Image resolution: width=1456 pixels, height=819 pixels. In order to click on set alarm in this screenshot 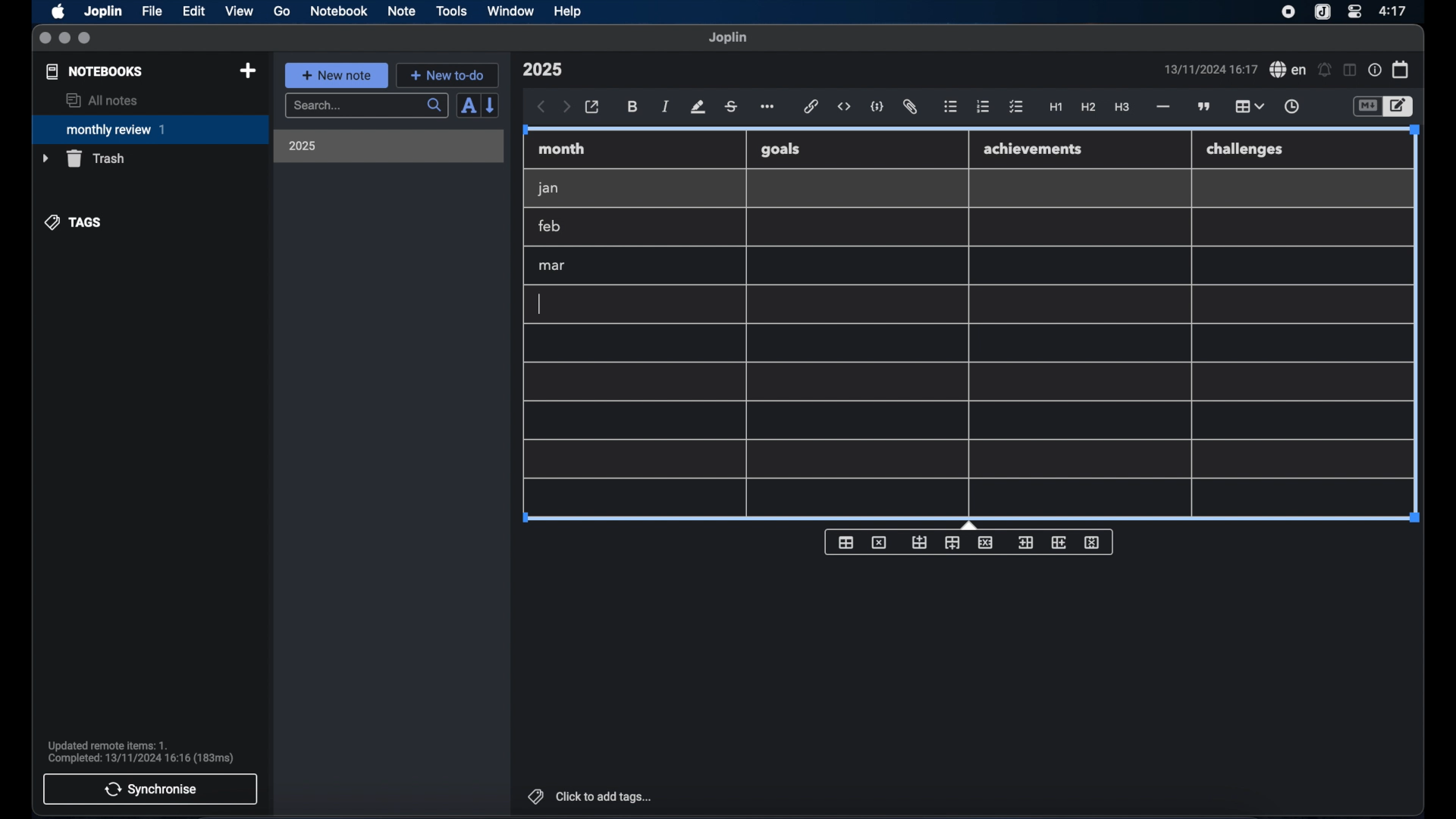, I will do `click(1325, 71)`.